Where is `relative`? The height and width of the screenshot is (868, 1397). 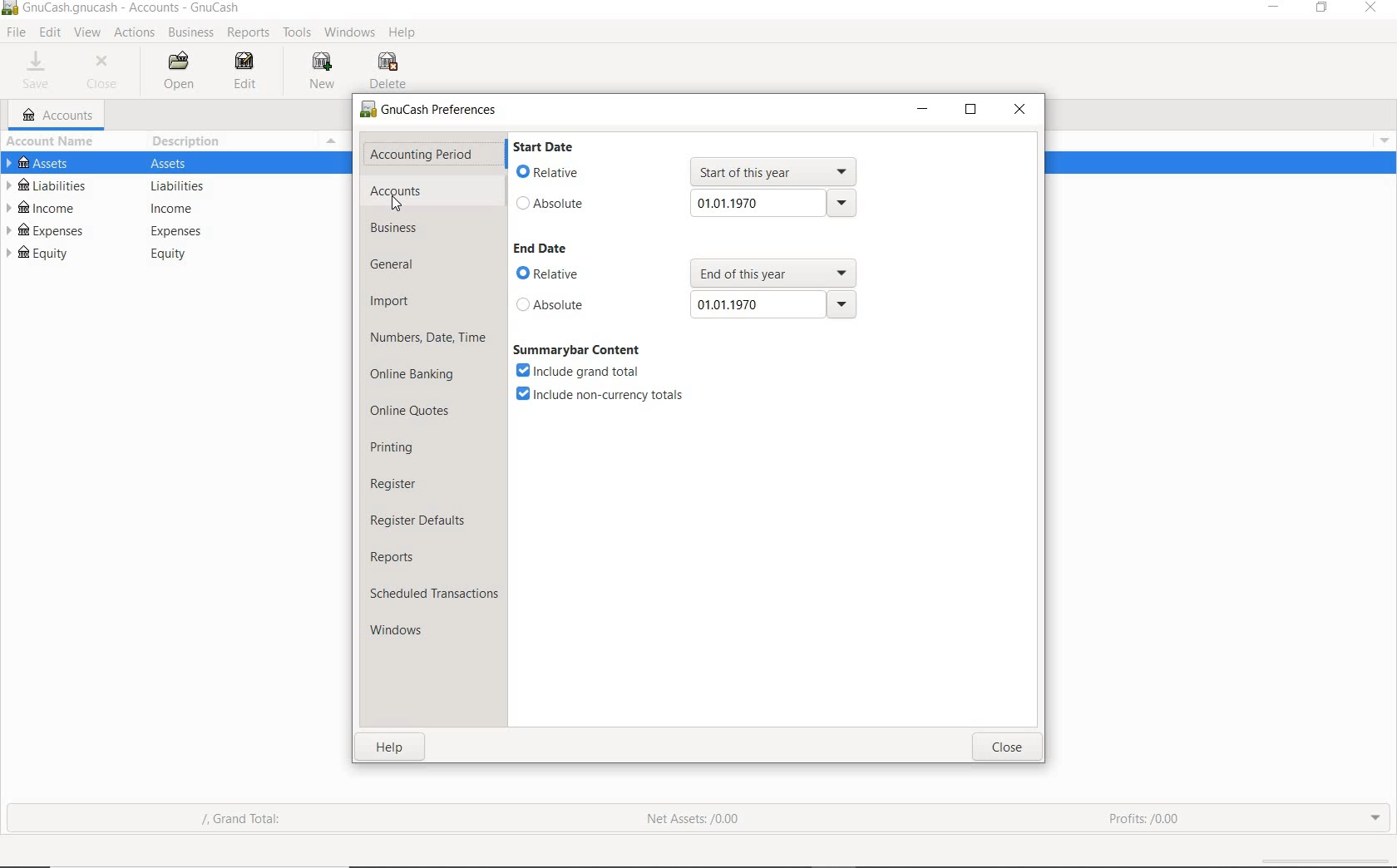 relative is located at coordinates (564, 274).